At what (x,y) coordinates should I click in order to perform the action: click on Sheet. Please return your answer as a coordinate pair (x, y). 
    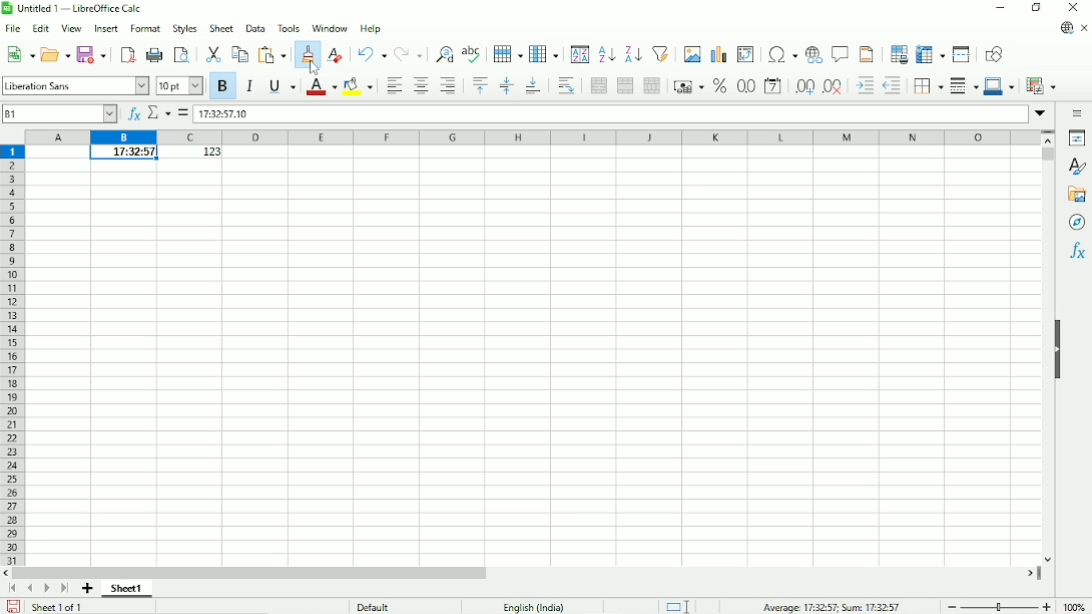
    Looking at the image, I should click on (221, 29).